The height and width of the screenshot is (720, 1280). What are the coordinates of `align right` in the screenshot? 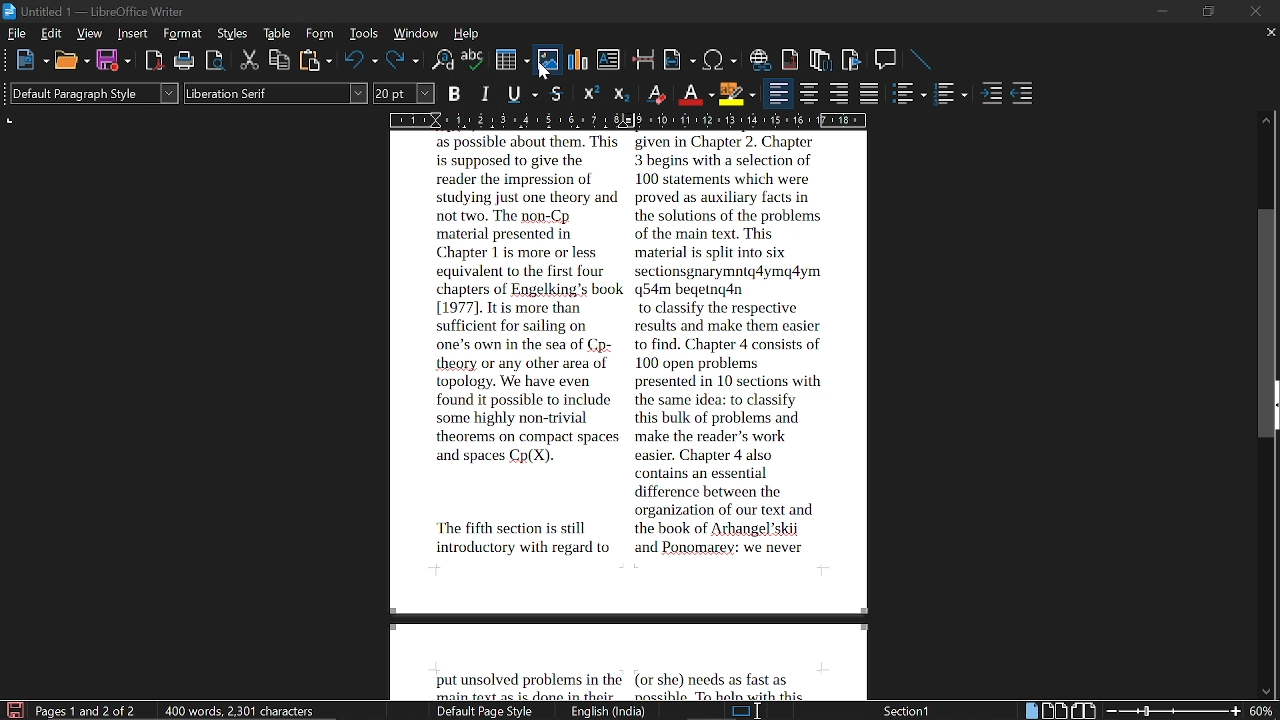 It's located at (840, 93).